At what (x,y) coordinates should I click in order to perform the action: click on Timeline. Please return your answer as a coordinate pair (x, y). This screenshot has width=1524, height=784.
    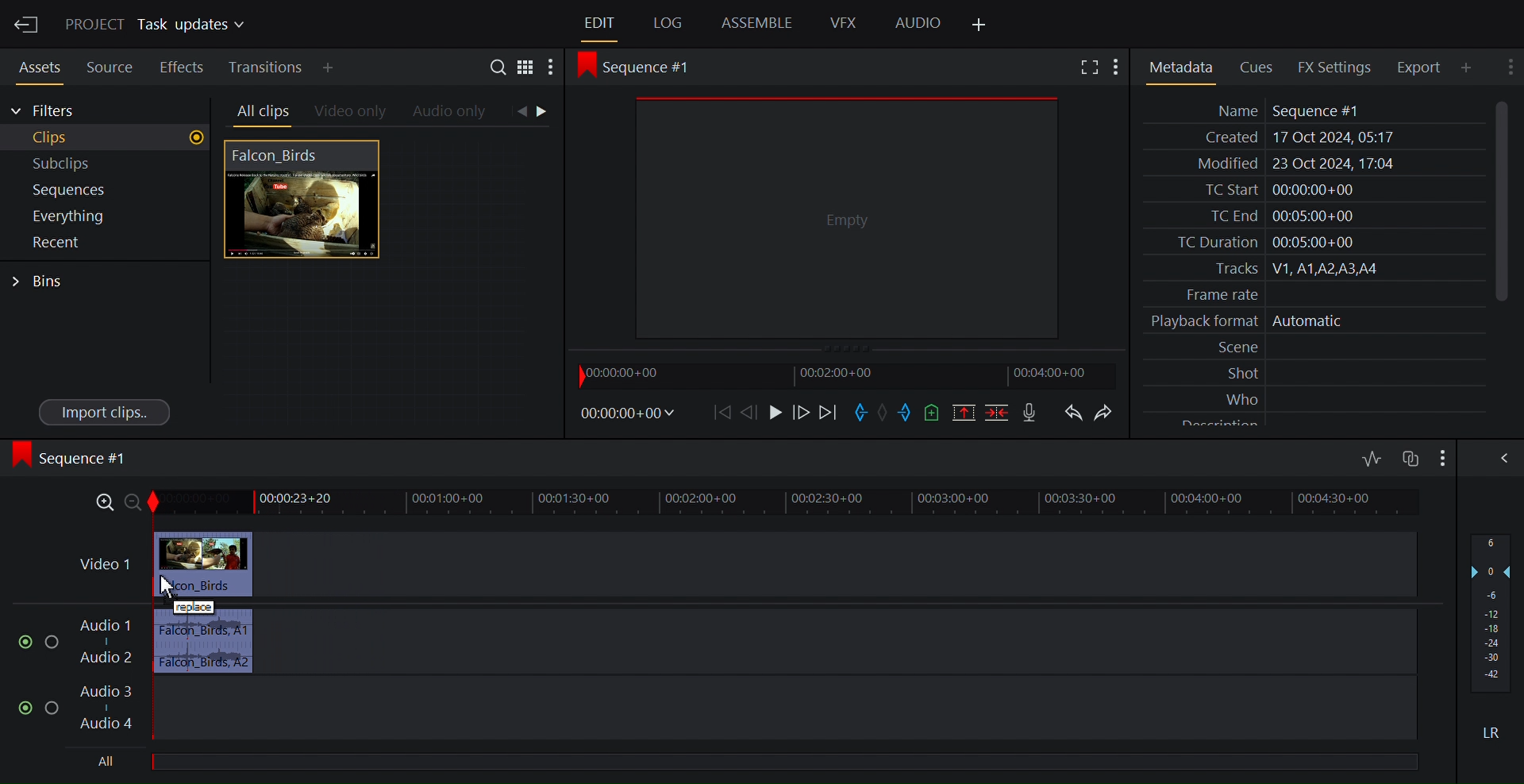
    Looking at the image, I should click on (851, 376).